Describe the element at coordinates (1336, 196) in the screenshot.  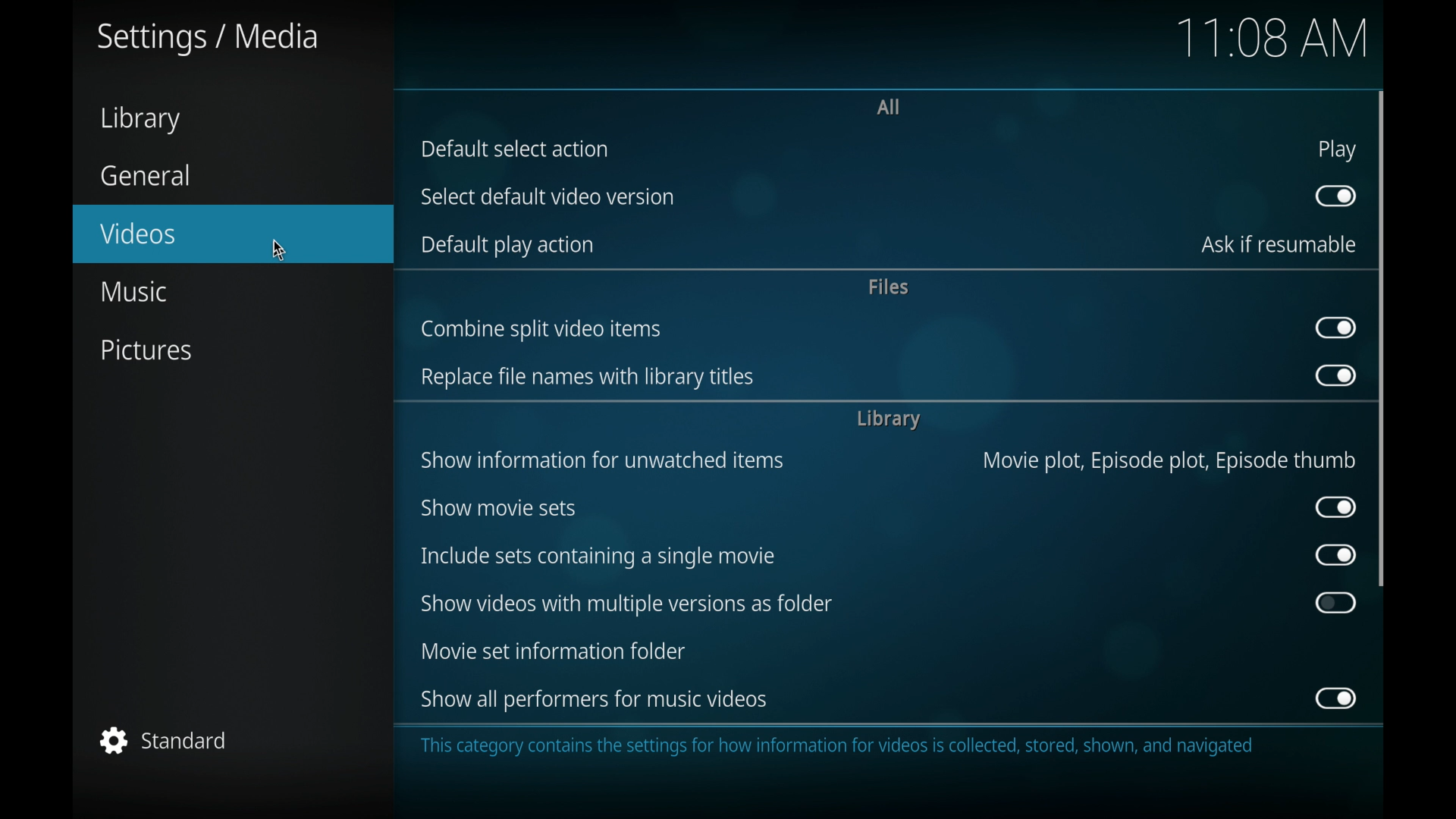
I see `toggle button` at that location.